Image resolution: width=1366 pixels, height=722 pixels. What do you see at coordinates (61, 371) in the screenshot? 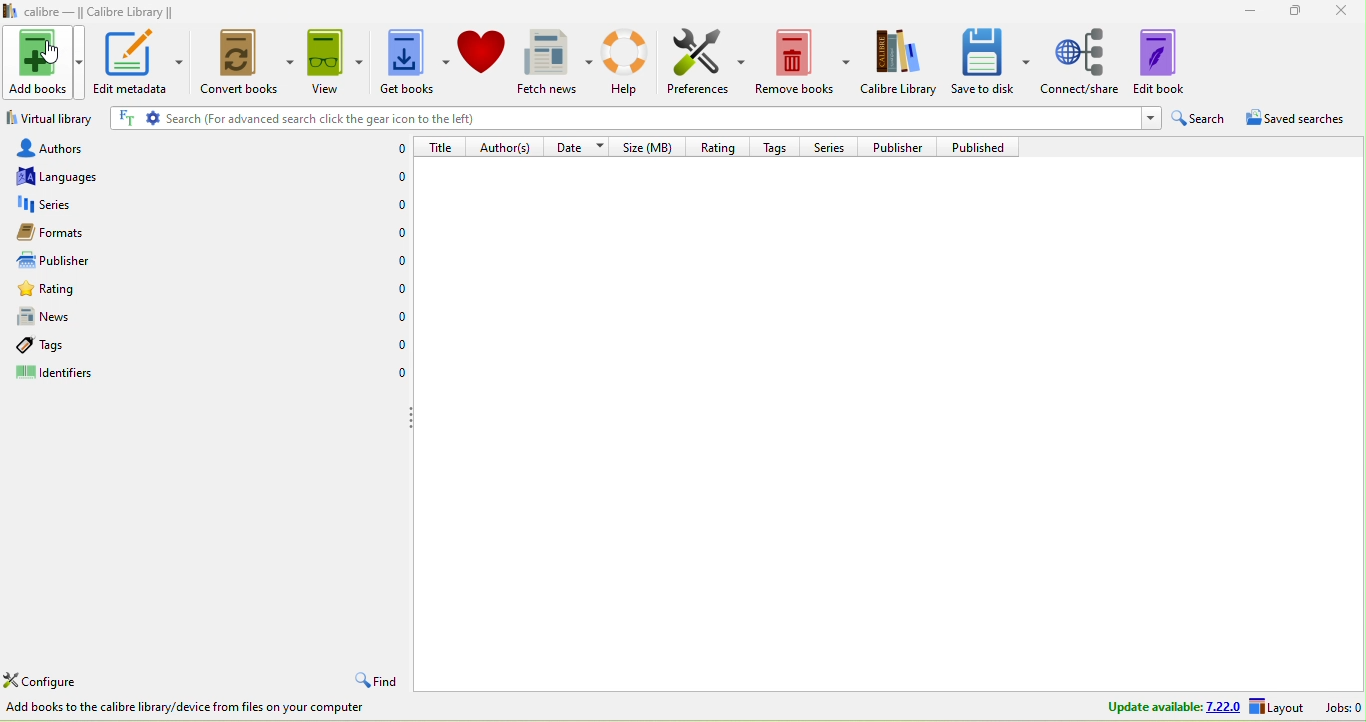
I see `identifiers` at bounding box center [61, 371].